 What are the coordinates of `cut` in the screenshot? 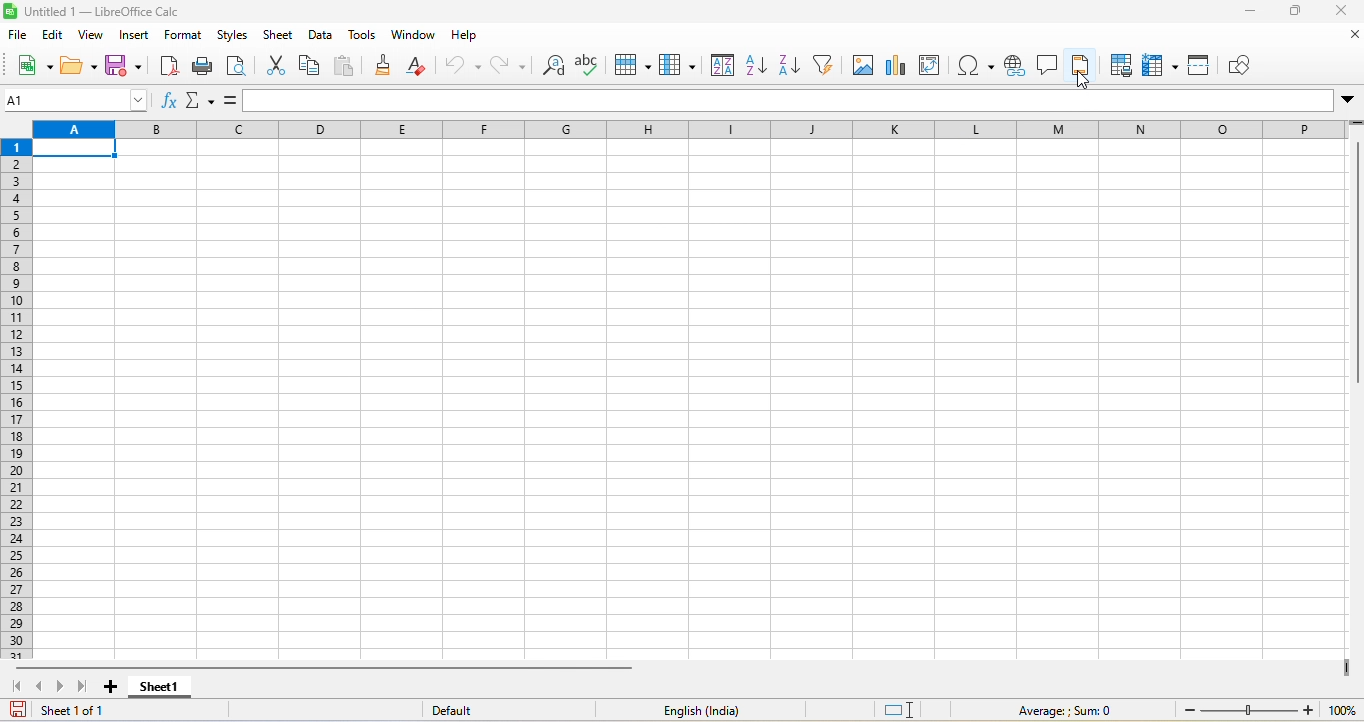 It's located at (275, 63).